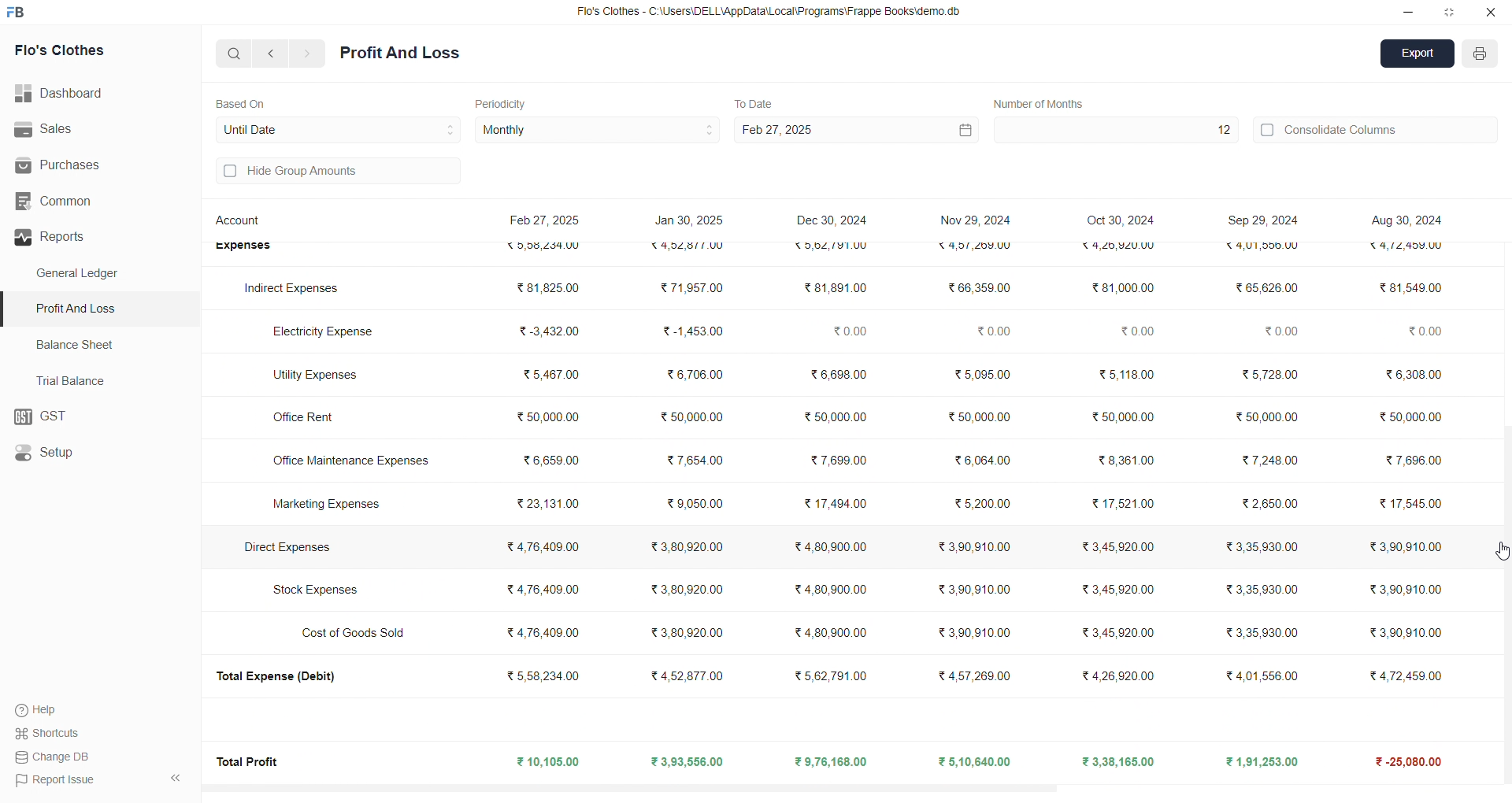 The width and height of the screenshot is (1512, 803). I want to click on Office Maintenance Expenses, so click(354, 461).